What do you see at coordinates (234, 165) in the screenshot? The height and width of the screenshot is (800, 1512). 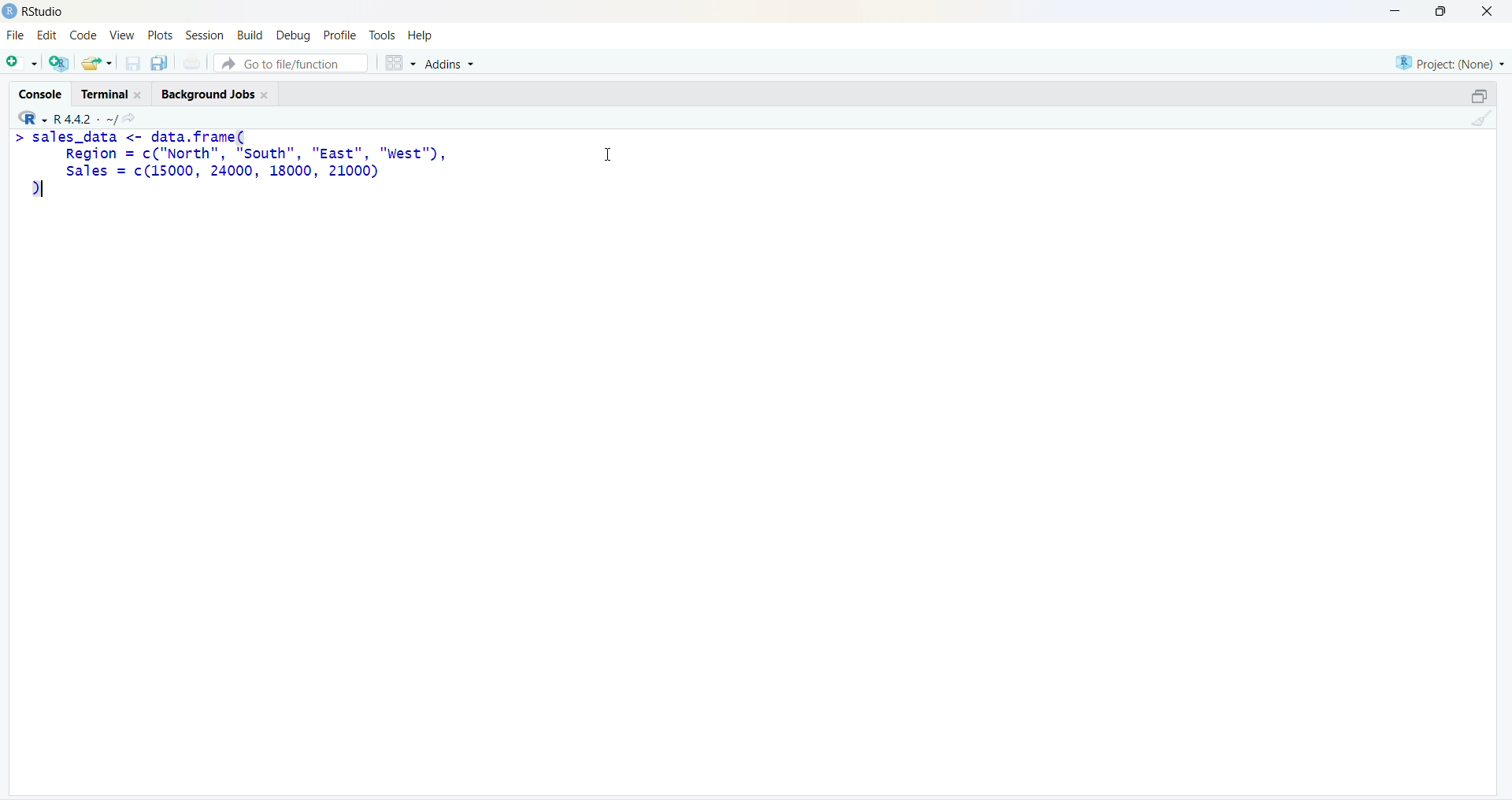 I see `sales_data <- data.rtramelRegion = c("North", "South", "East", "West"),sales = c(15000, 24000, 18000, 21000)` at bounding box center [234, 165].